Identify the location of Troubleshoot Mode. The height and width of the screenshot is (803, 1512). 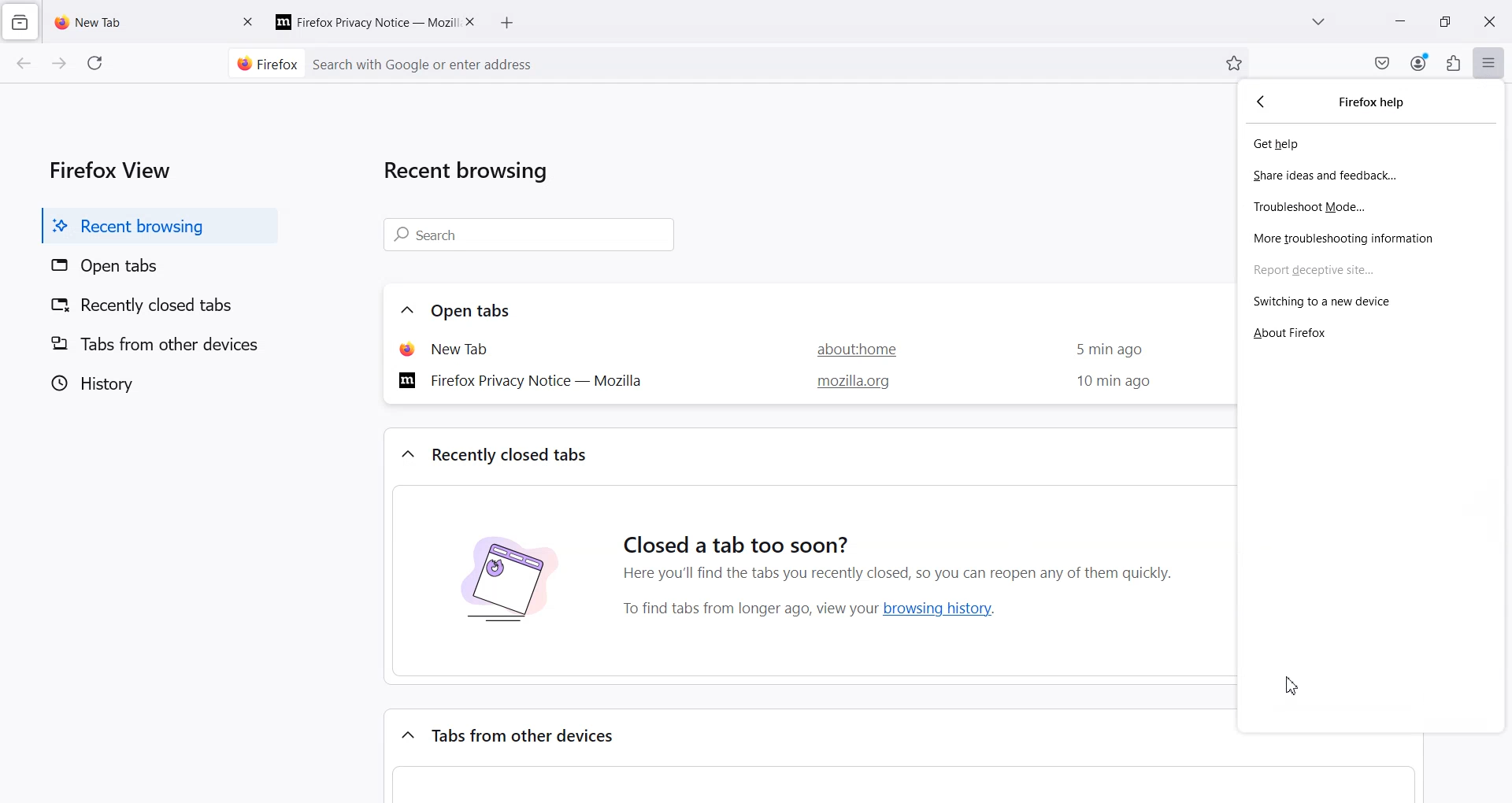
(1370, 205).